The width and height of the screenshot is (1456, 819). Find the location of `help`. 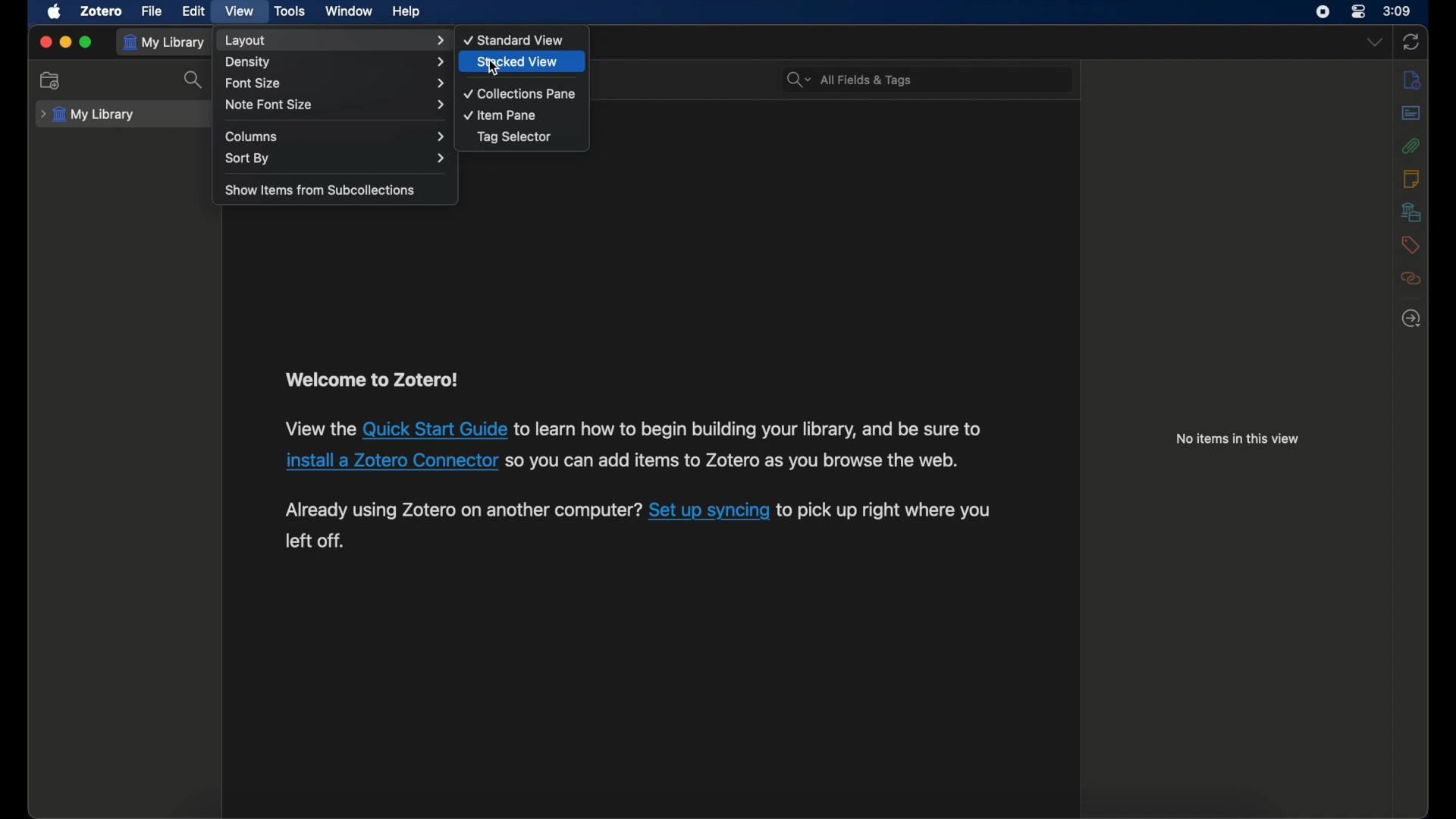

help is located at coordinates (406, 12).